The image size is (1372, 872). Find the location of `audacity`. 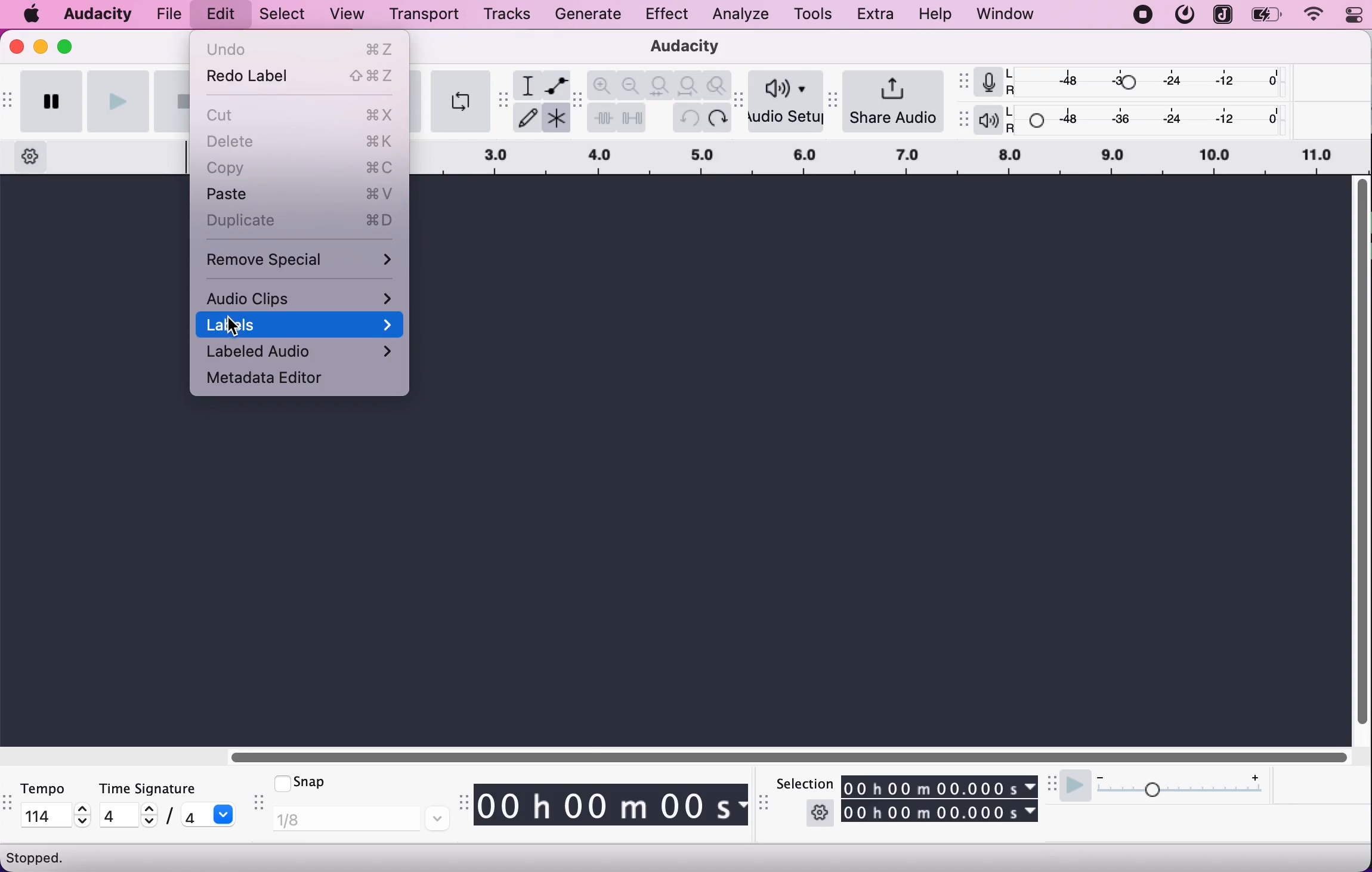

audacity is located at coordinates (679, 48).